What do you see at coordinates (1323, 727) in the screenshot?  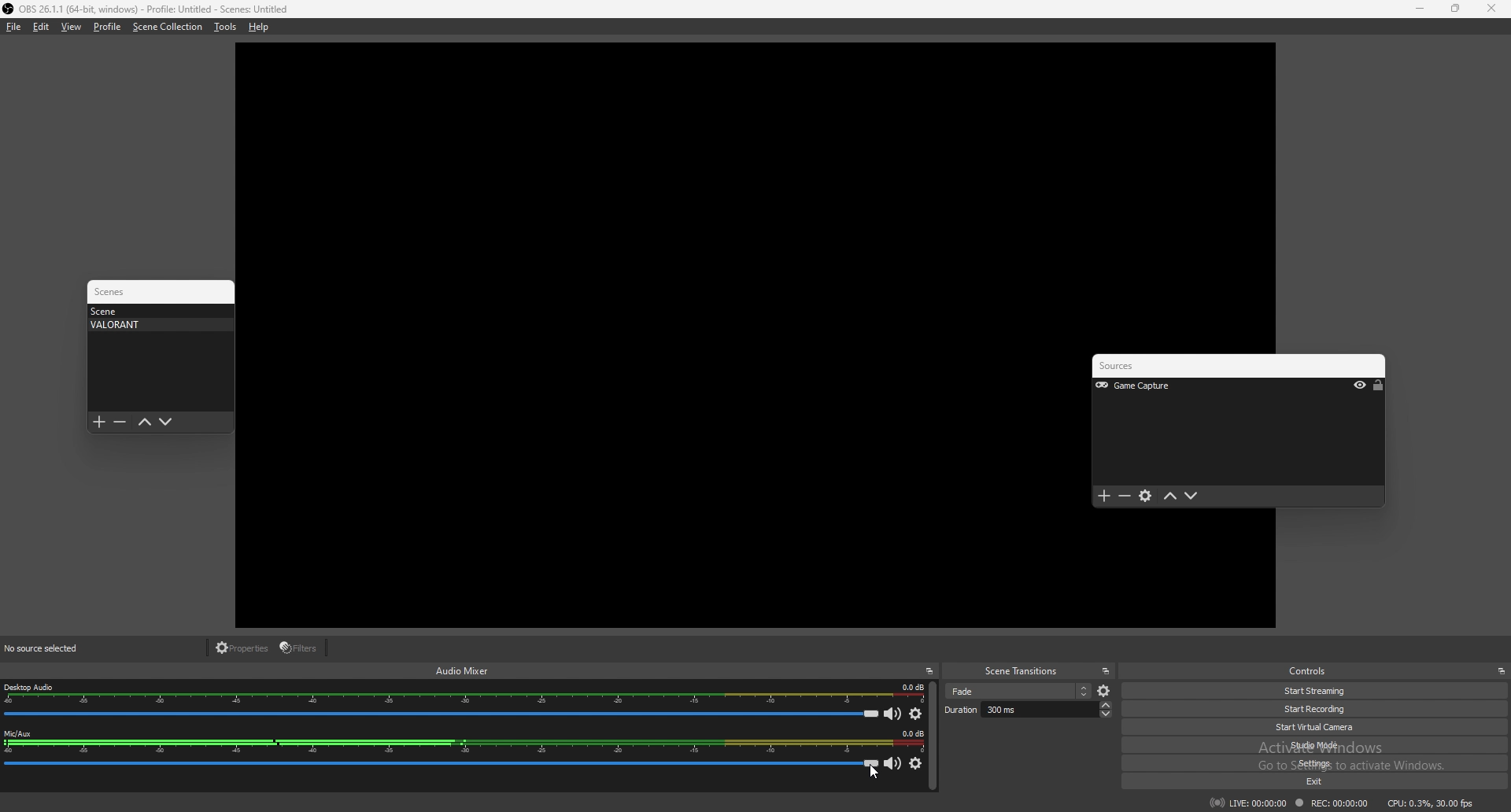 I see `start virtual camera` at bounding box center [1323, 727].